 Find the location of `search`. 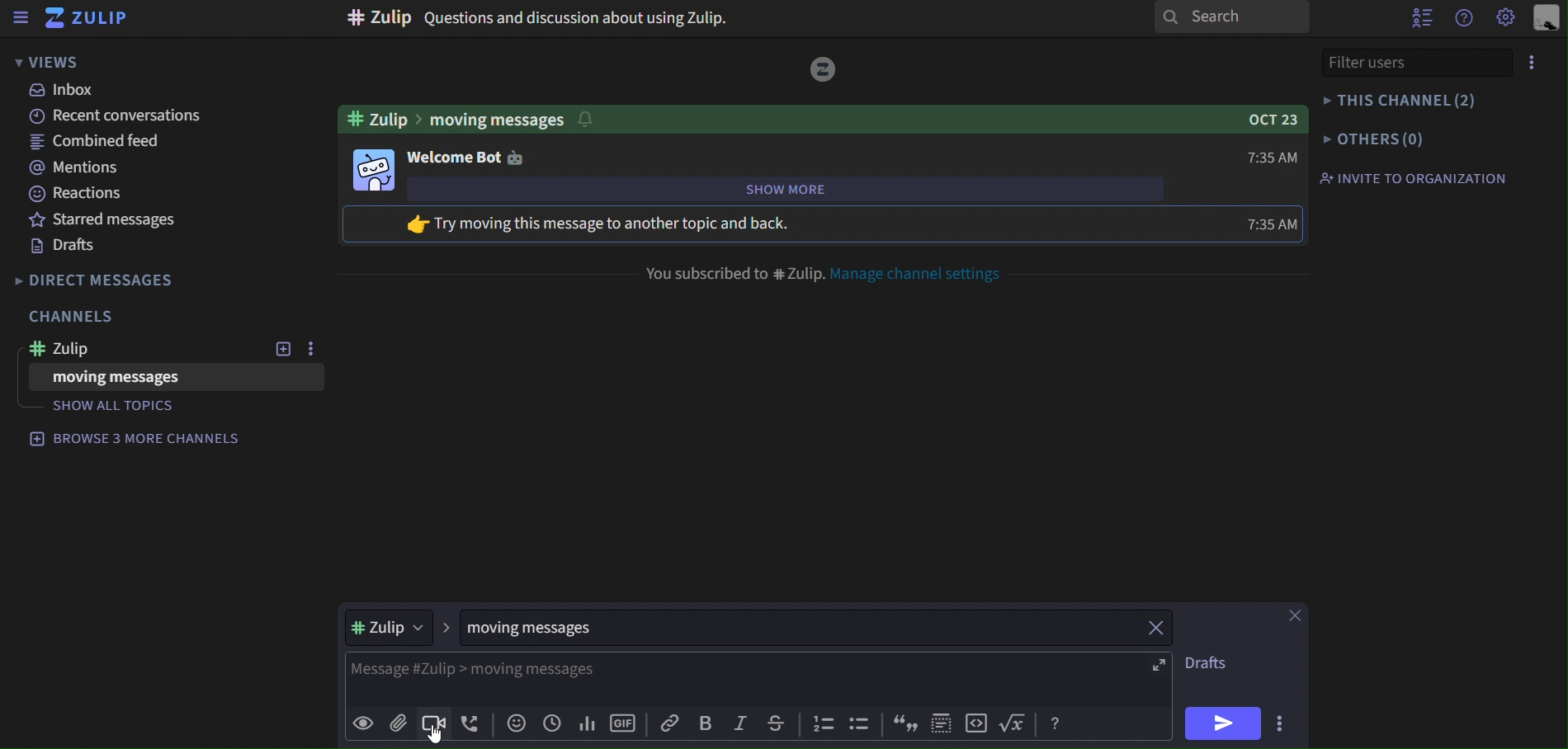

search is located at coordinates (1233, 17).